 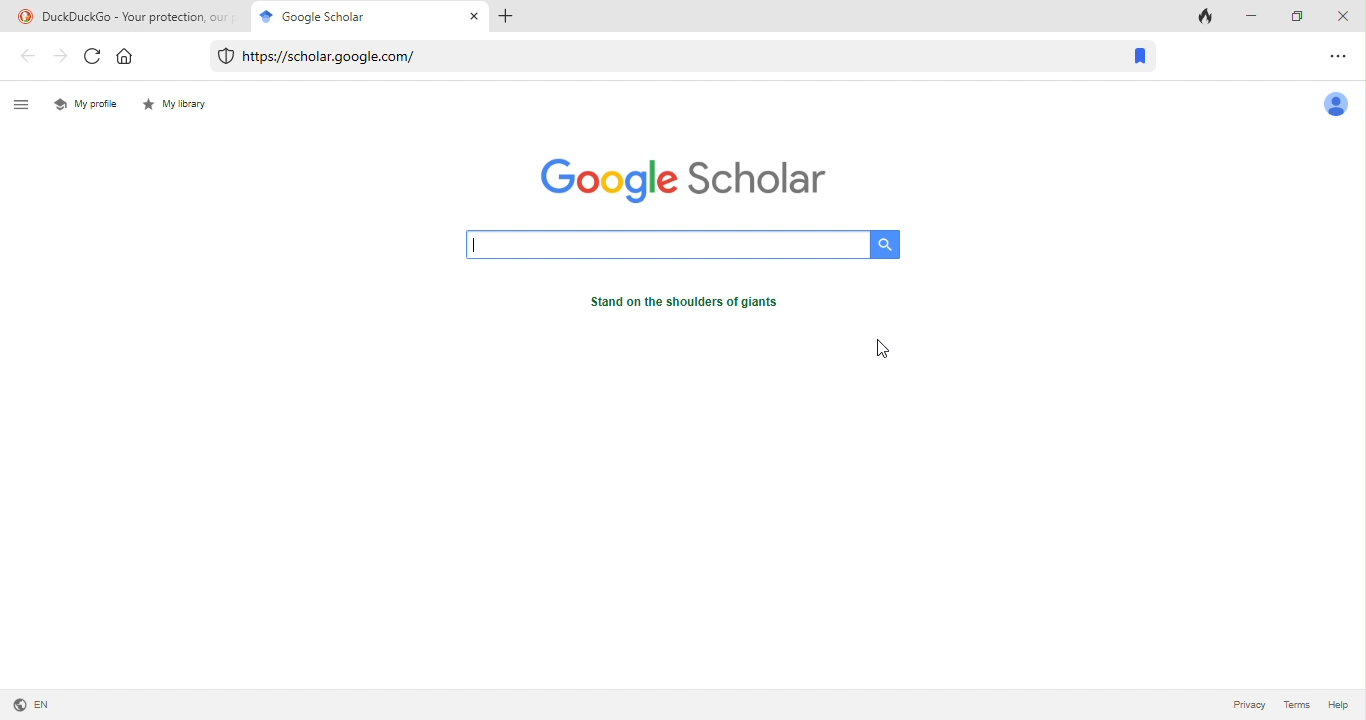 I want to click on home, so click(x=133, y=57).